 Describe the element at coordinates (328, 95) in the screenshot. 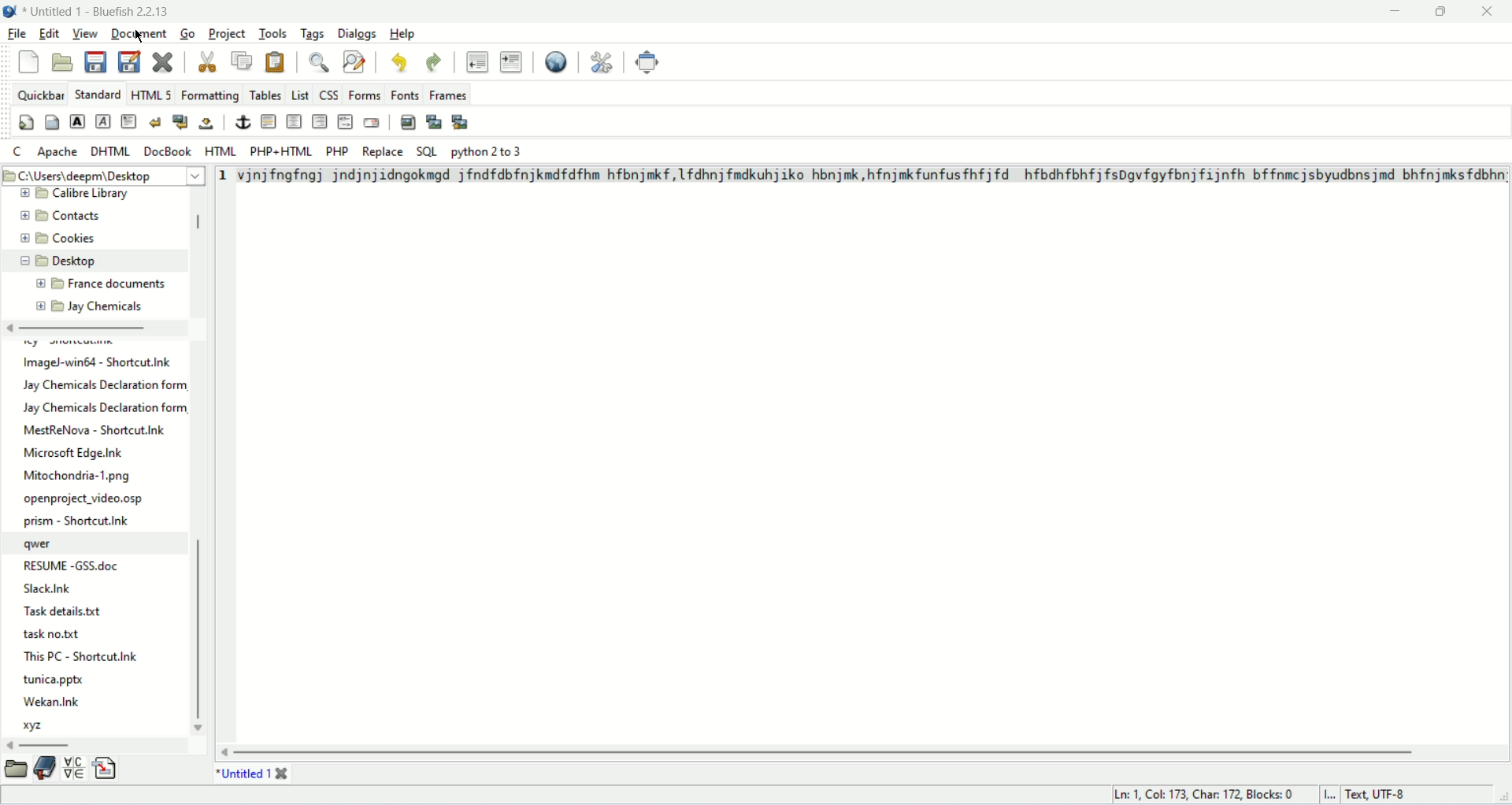

I see `CSS` at that location.